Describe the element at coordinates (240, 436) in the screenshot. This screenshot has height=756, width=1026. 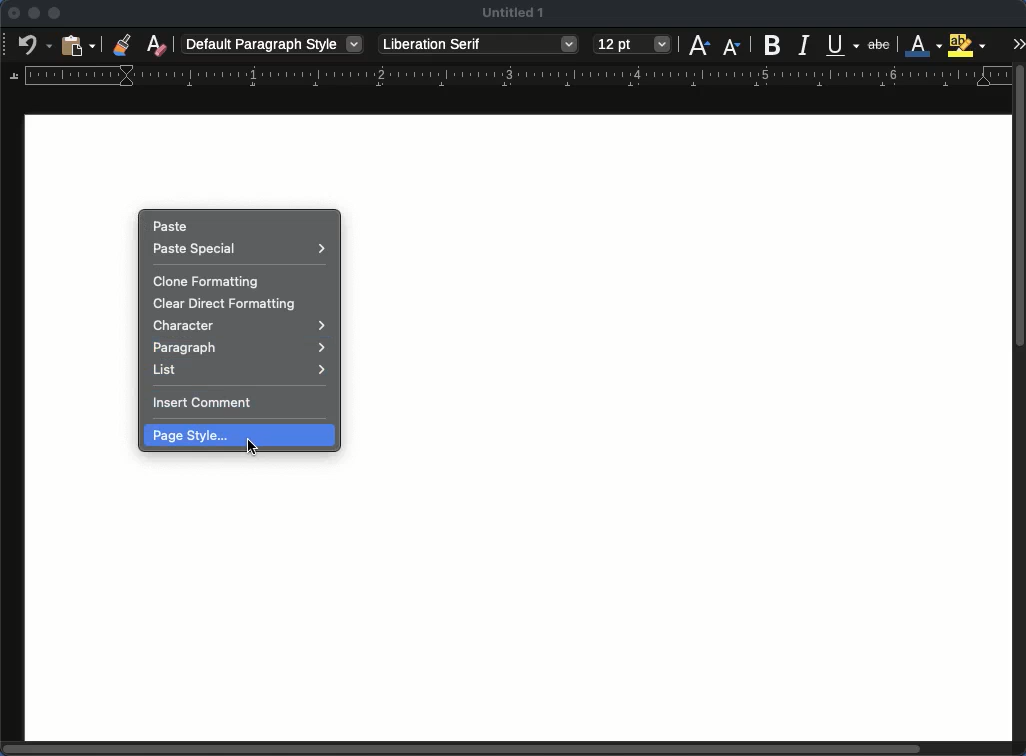
I see `page style` at that location.